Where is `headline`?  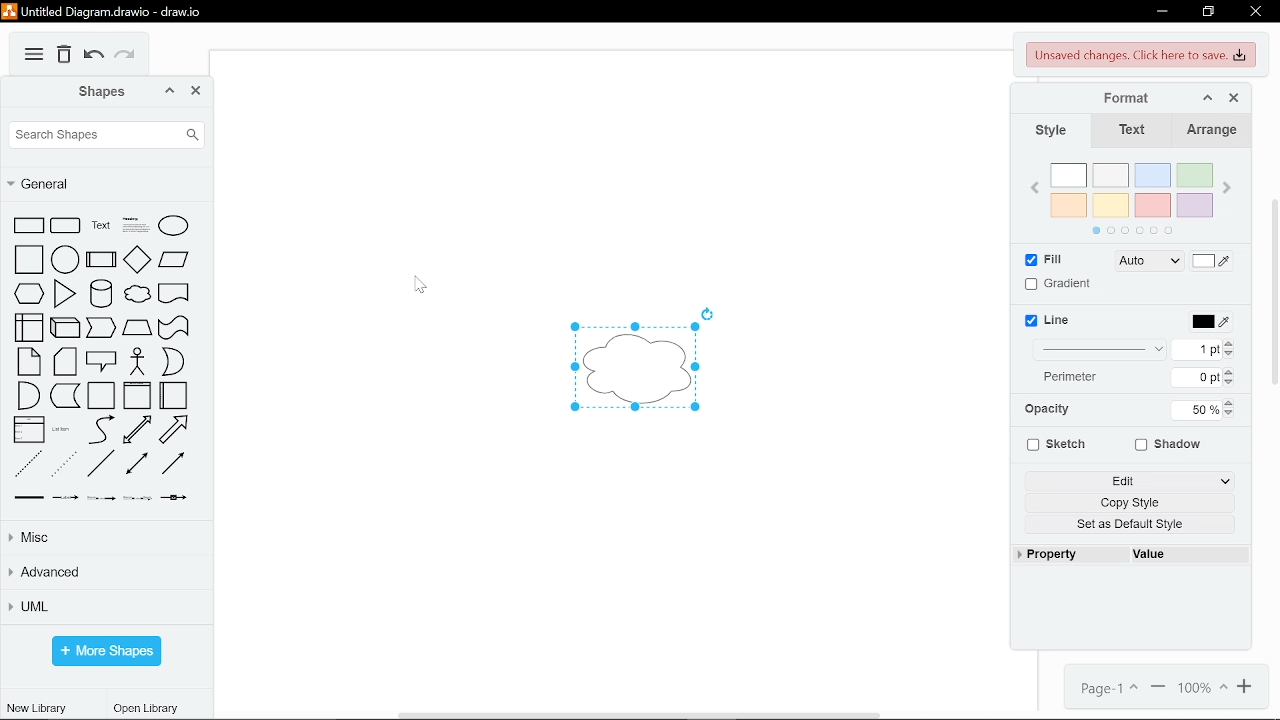
headline is located at coordinates (134, 226).